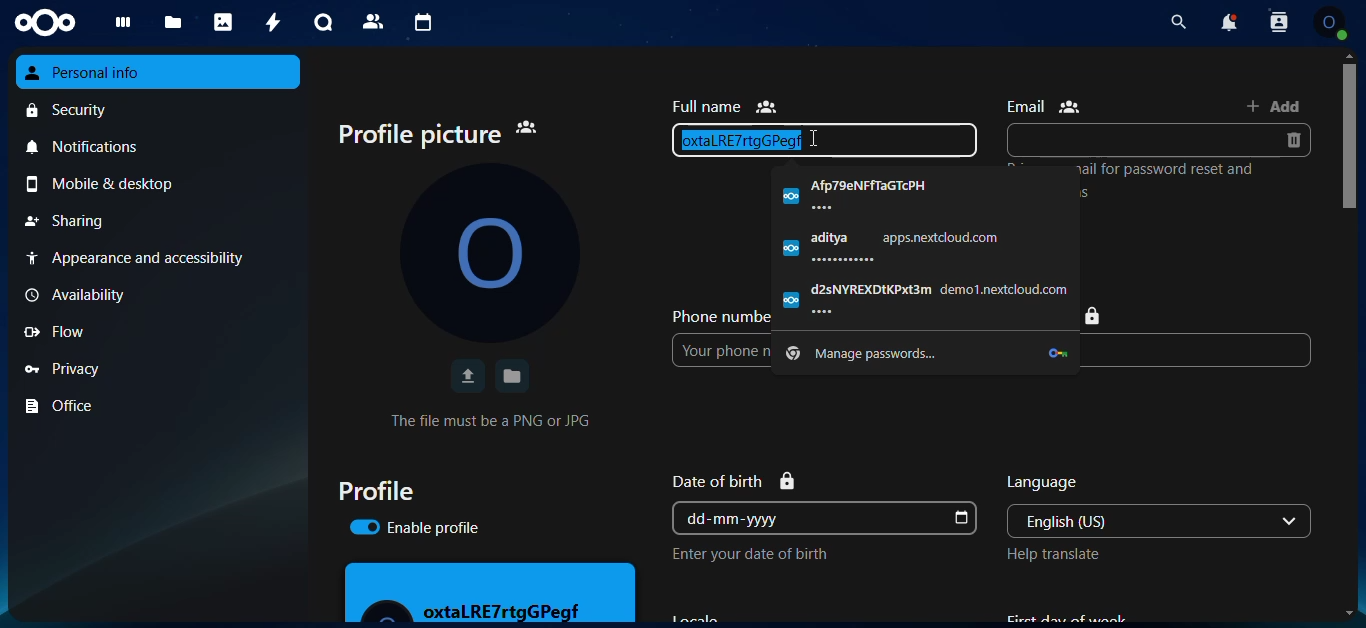 Image resolution: width=1366 pixels, height=628 pixels. What do you see at coordinates (373, 22) in the screenshot?
I see `contact` at bounding box center [373, 22].